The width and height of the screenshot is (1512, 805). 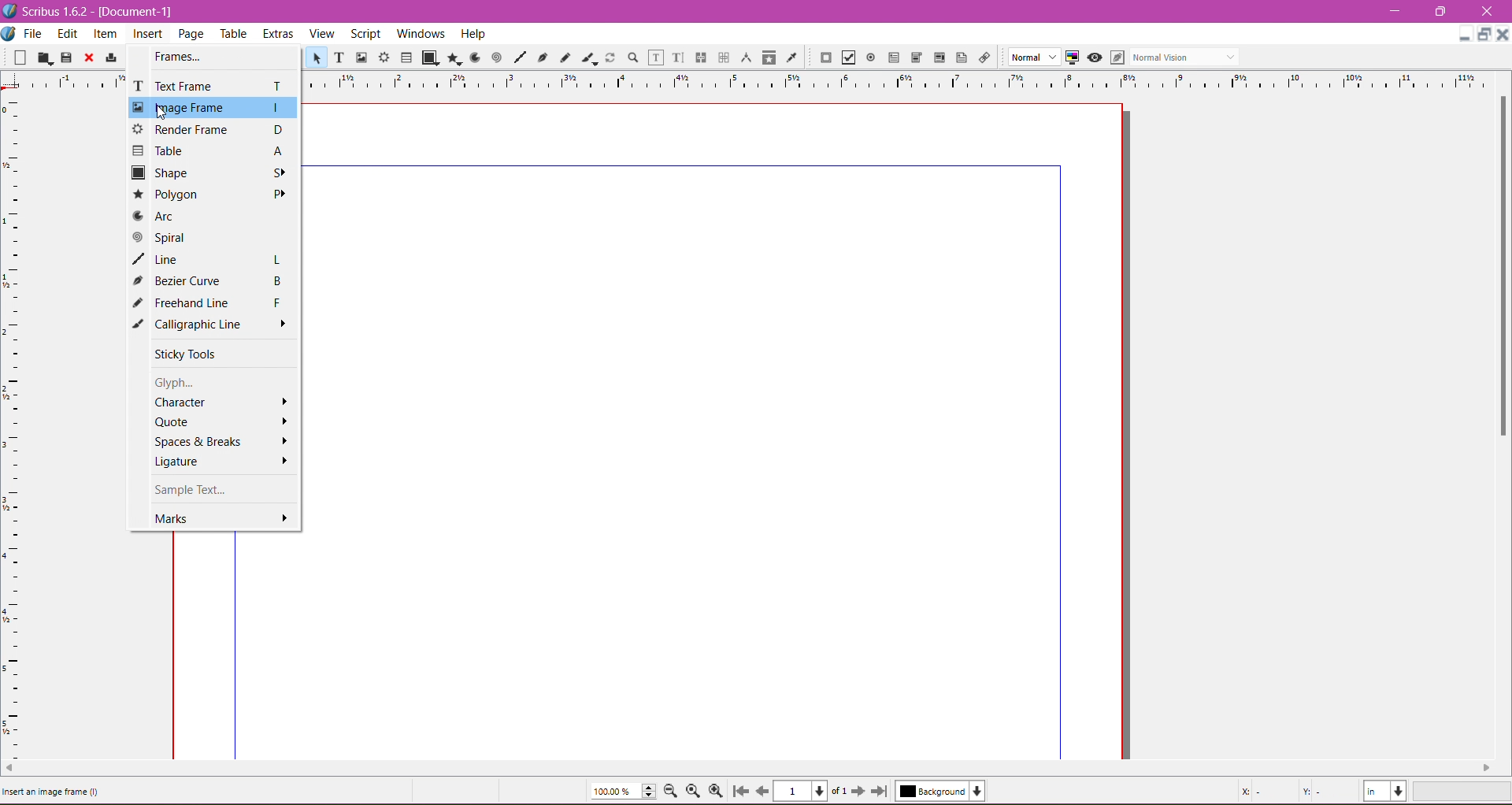 I want to click on Rotate Item, so click(x=610, y=57).